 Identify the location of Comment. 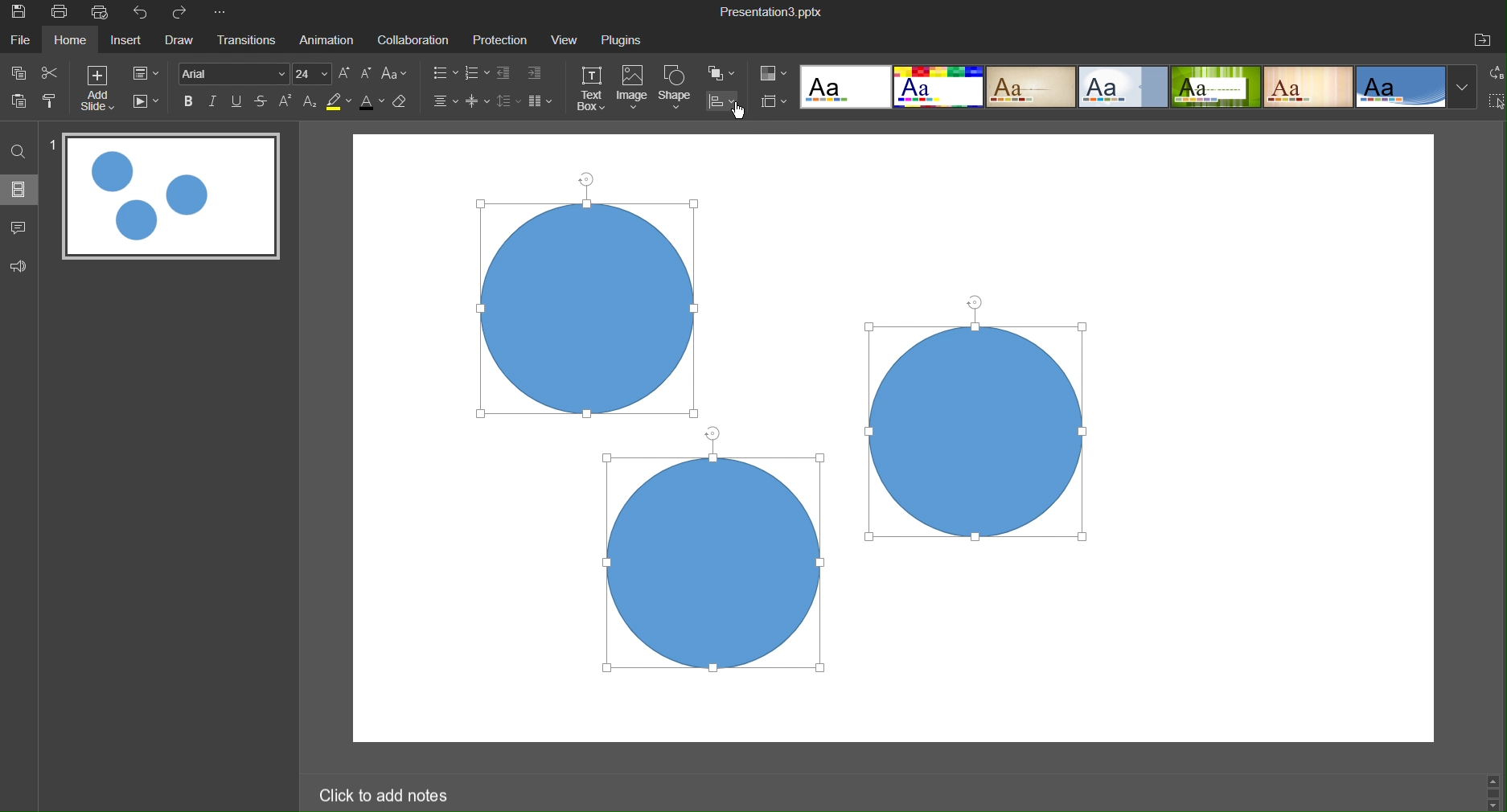
(18, 228).